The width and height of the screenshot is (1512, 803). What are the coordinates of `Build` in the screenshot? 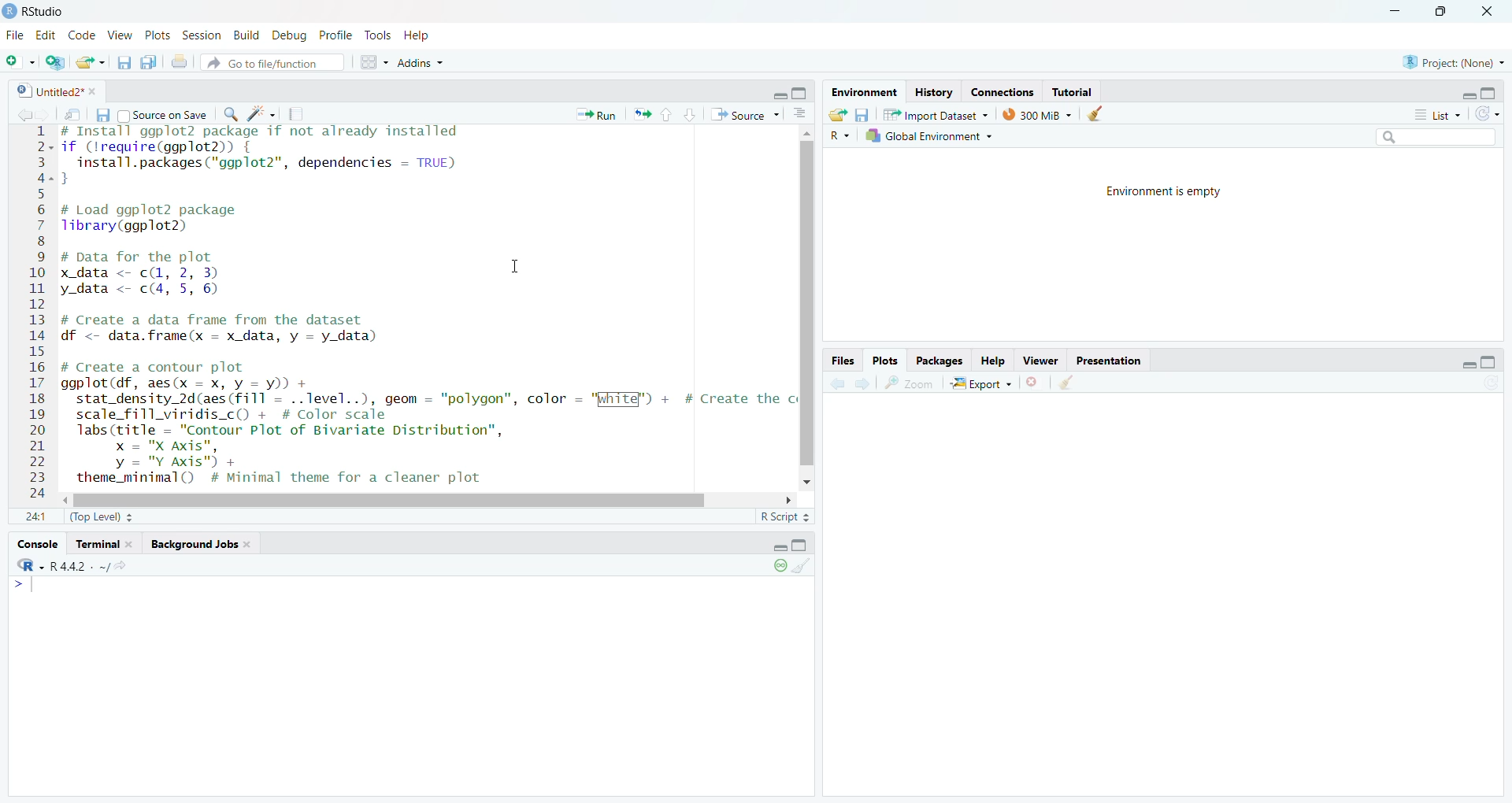 It's located at (245, 35).